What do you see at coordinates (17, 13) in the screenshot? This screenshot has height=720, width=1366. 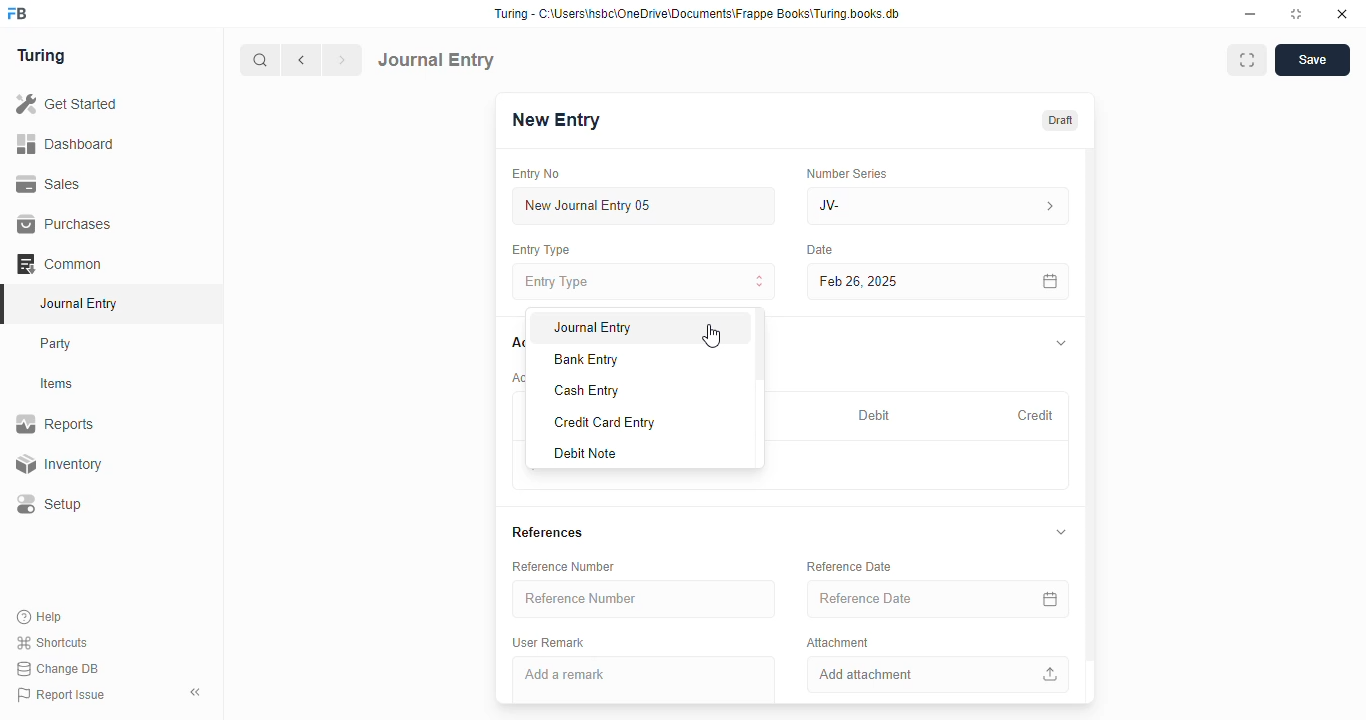 I see `FB - logo` at bounding box center [17, 13].